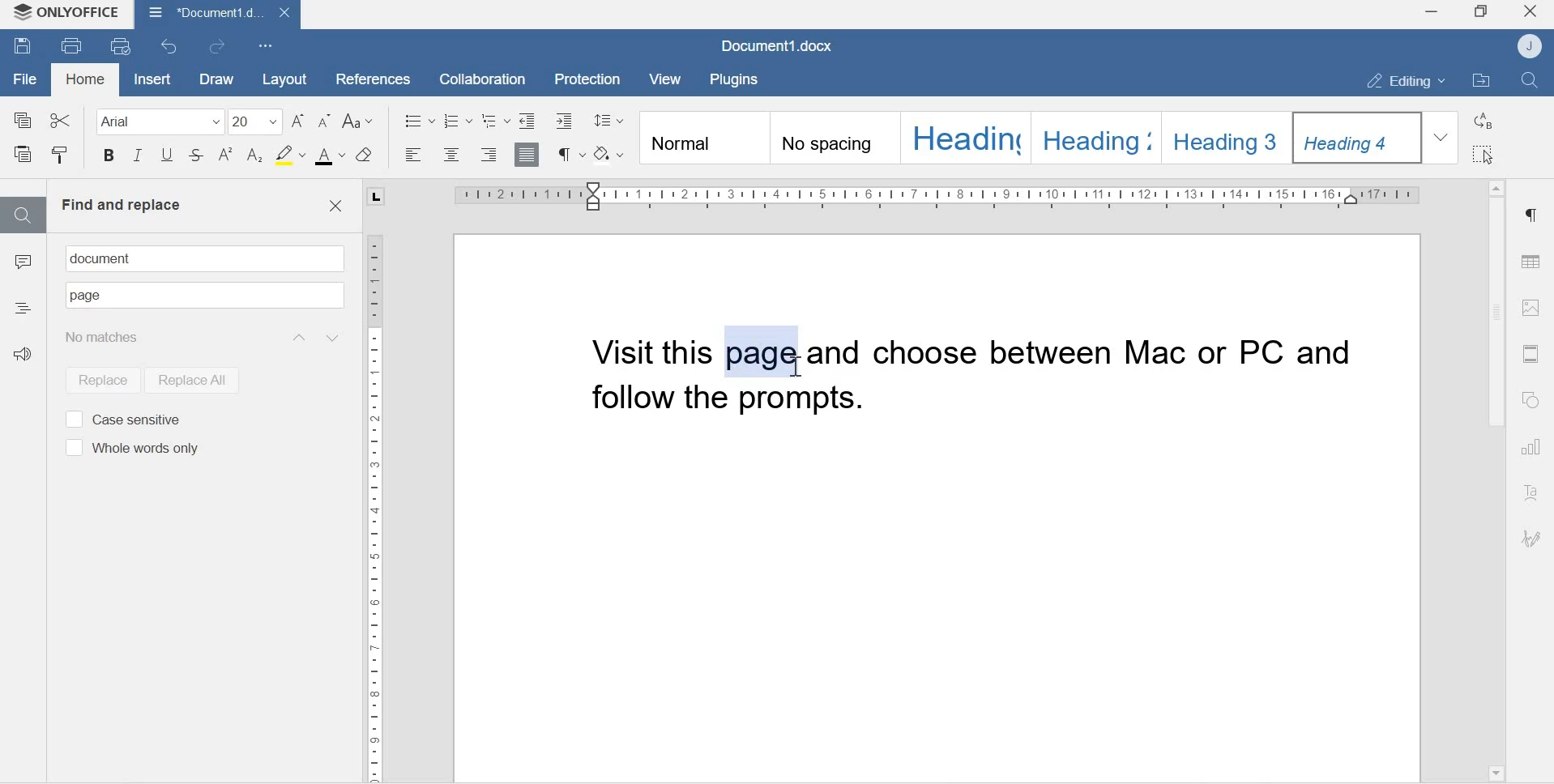  I want to click on Onlyoffice, so click(67, 14).